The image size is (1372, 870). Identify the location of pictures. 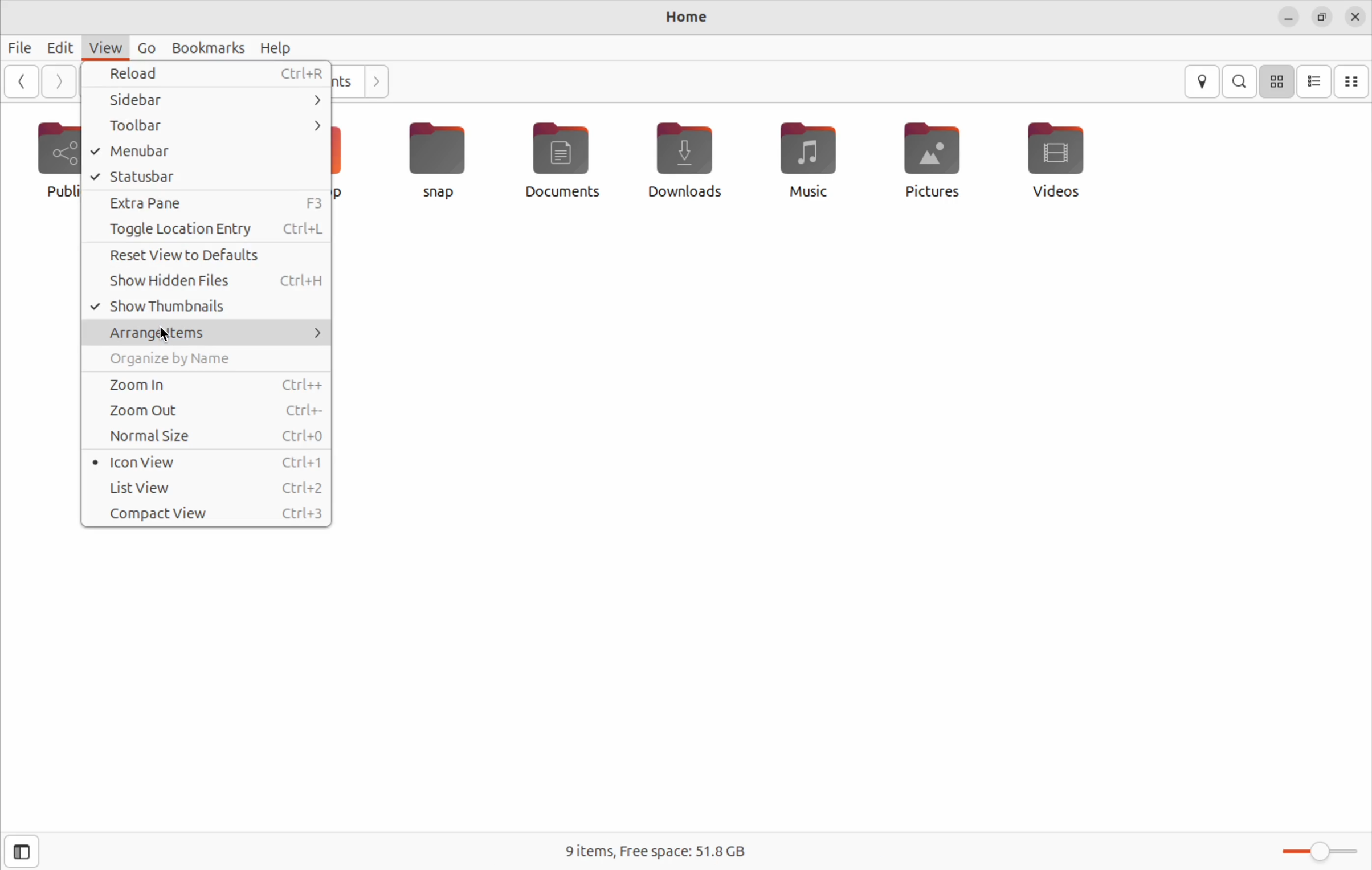
(930, 162).